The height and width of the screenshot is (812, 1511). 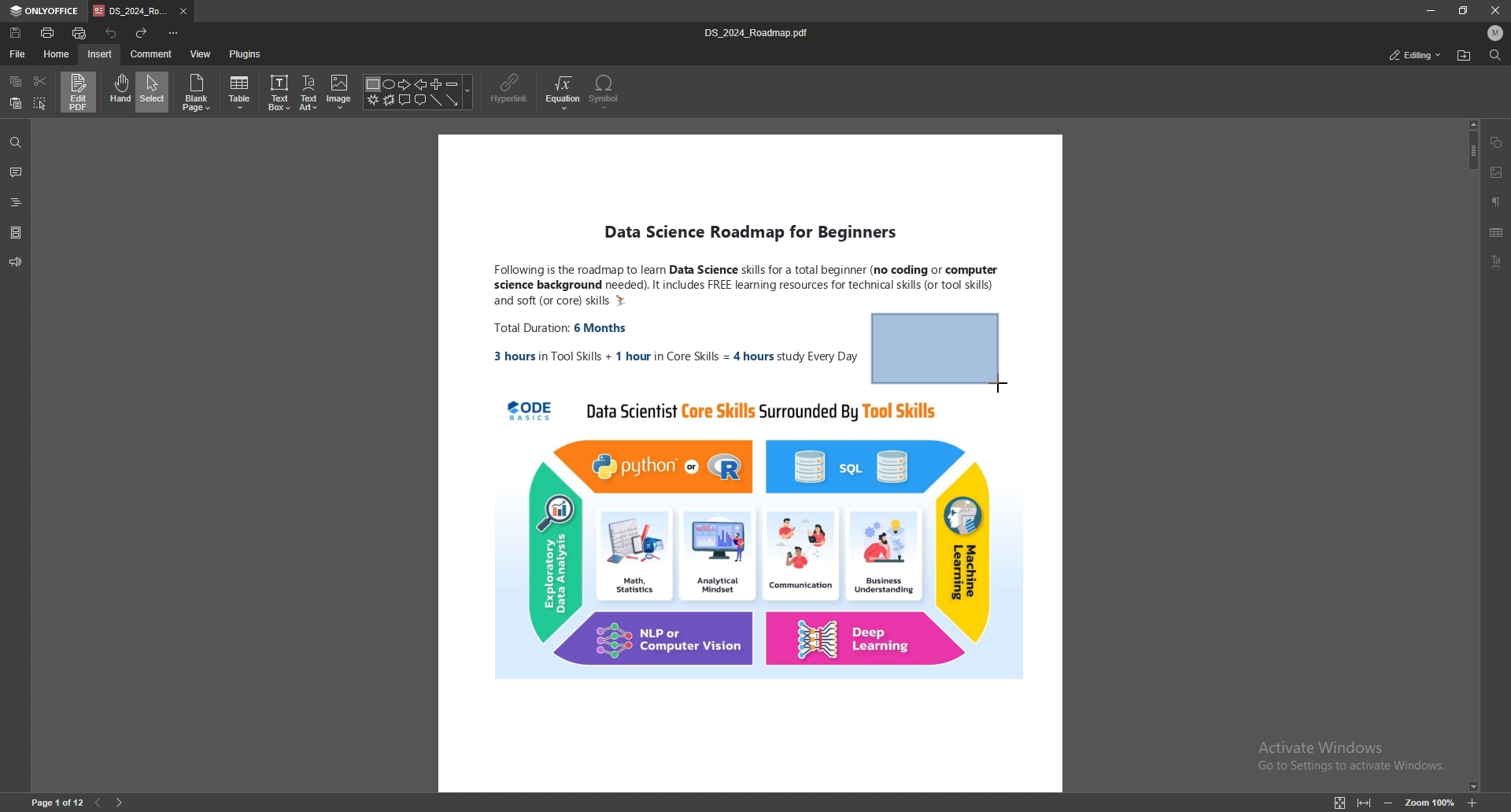 What do you see at coordinates (16, 231) in the screenshot?
I see `pages` at bounding box center [16, 231].